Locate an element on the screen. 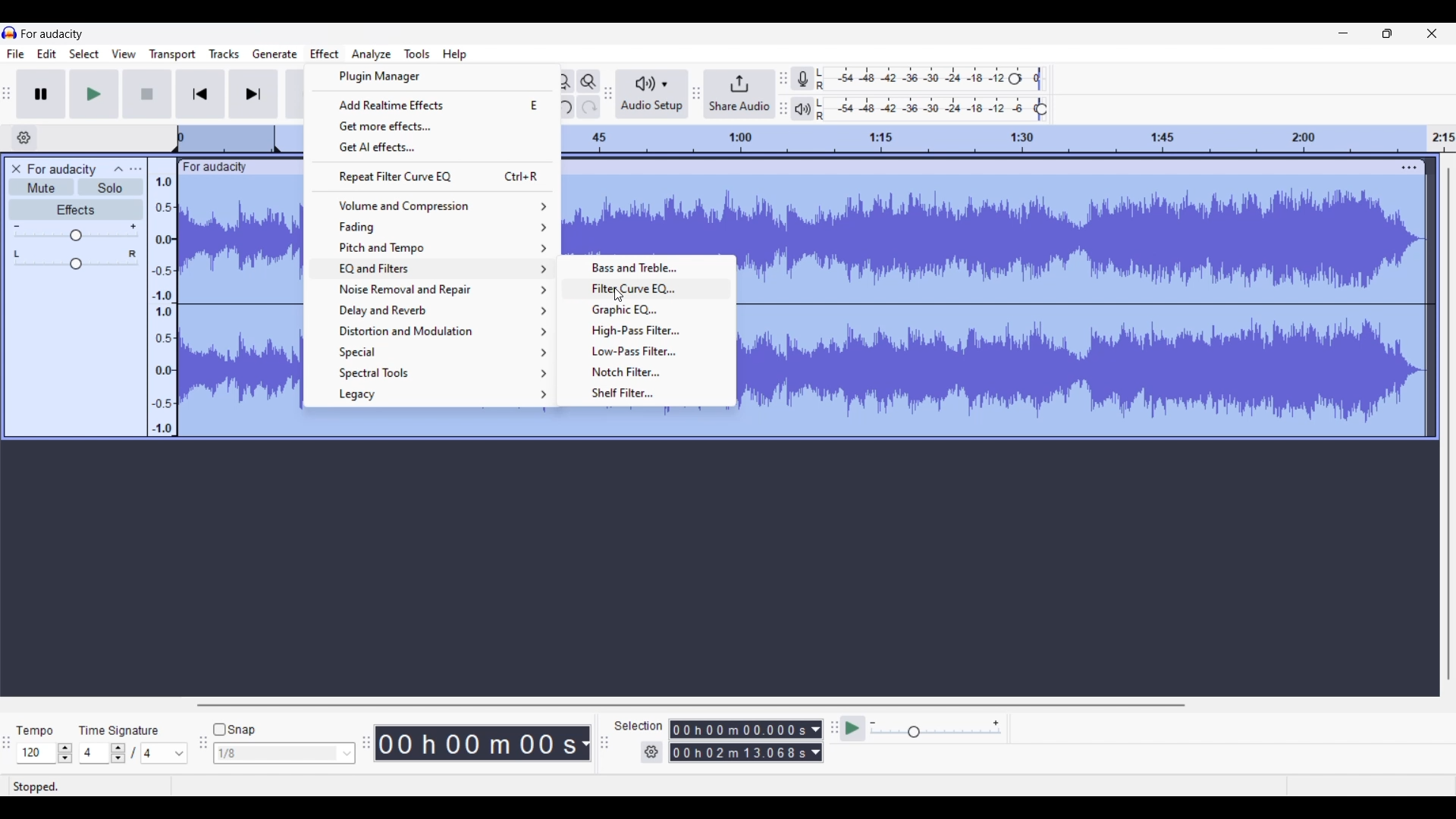 The height and width of the screenshot is (819, 1456). Play/Play once is located at coordinates (93, 94).